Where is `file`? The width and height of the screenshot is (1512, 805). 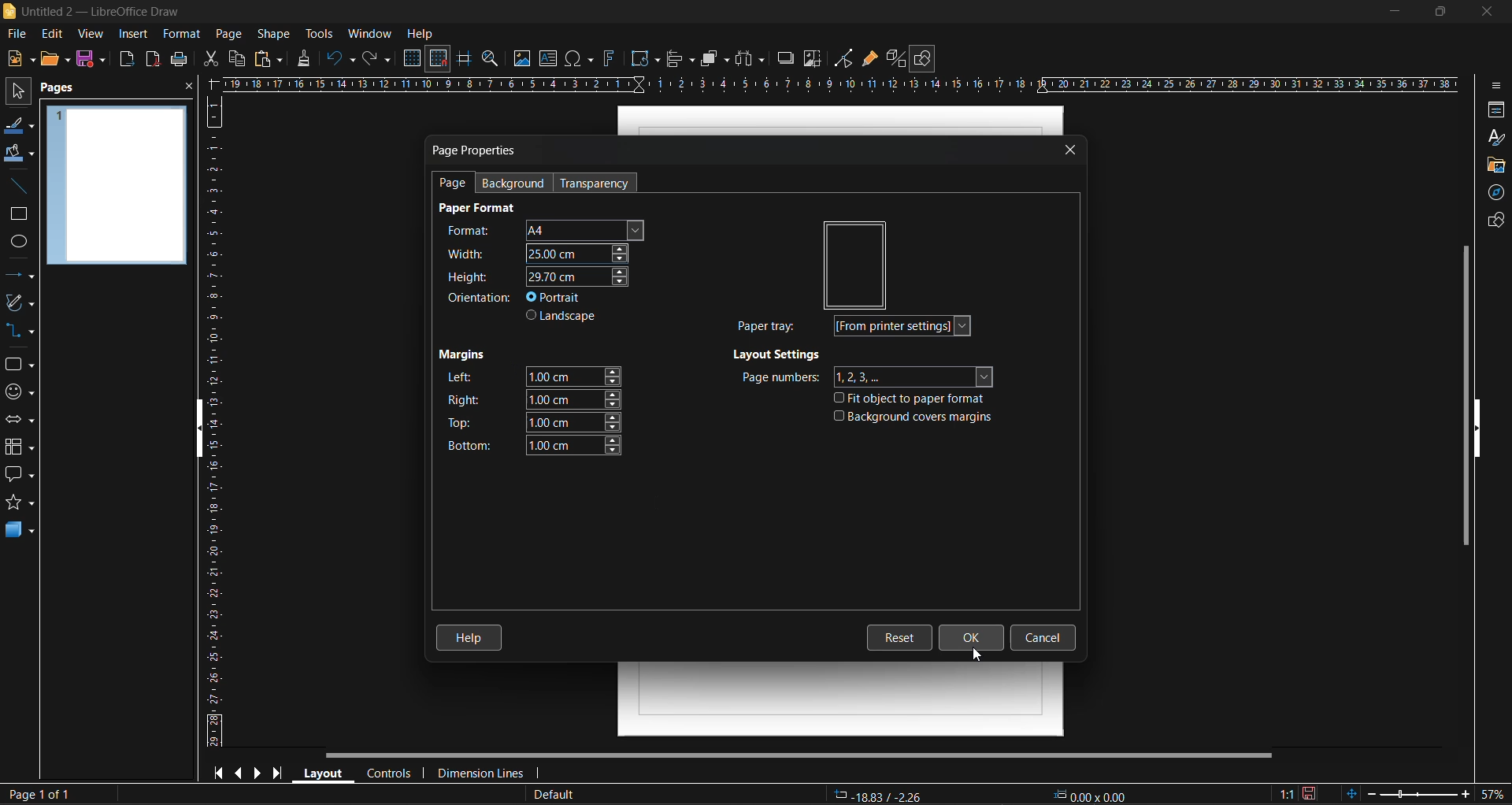 file is located at coordinates (19, 34).